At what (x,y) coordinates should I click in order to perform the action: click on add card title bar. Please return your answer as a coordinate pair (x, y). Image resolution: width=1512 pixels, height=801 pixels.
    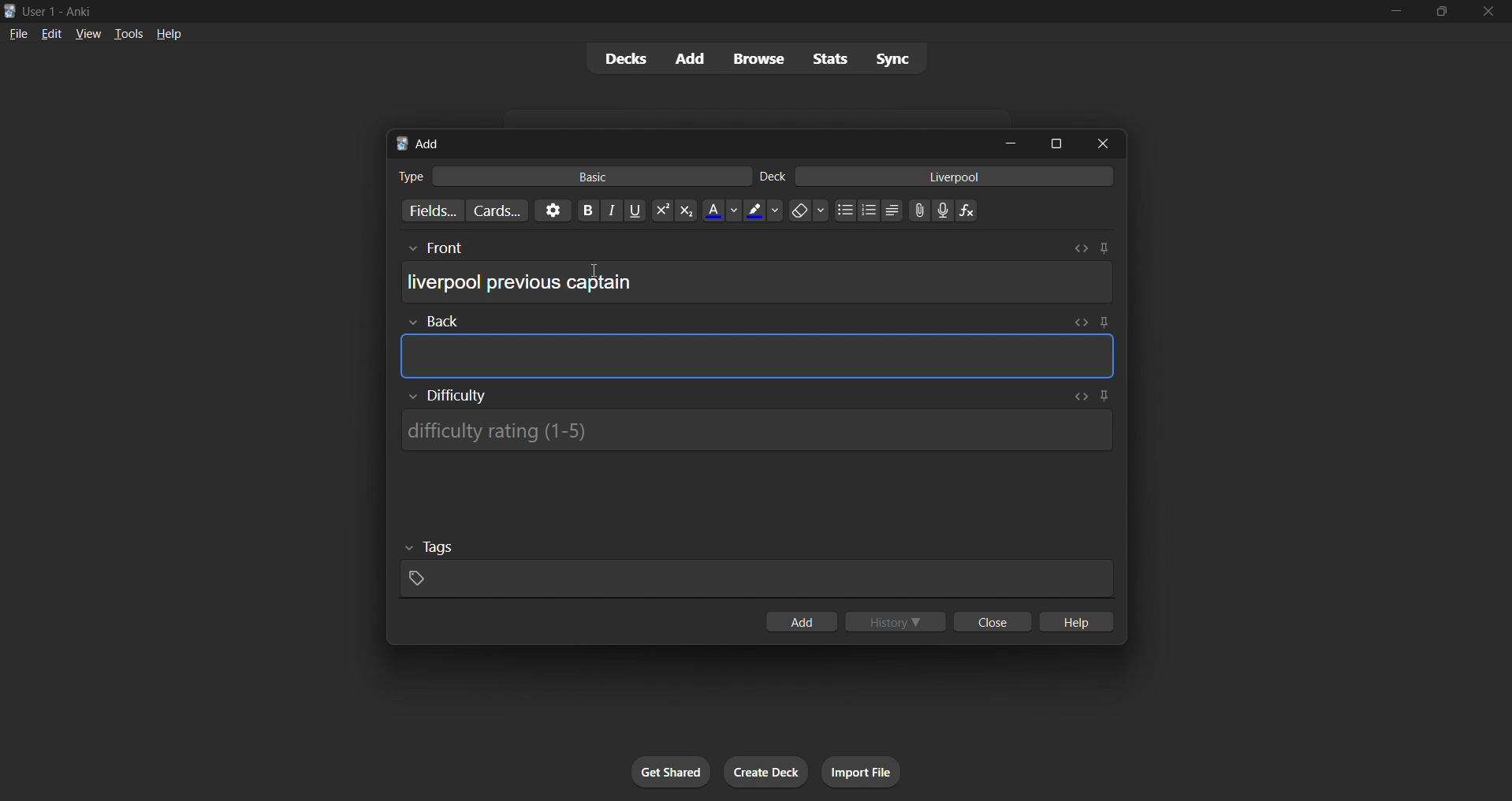
    Looking at the image, I should click on (689, 141).